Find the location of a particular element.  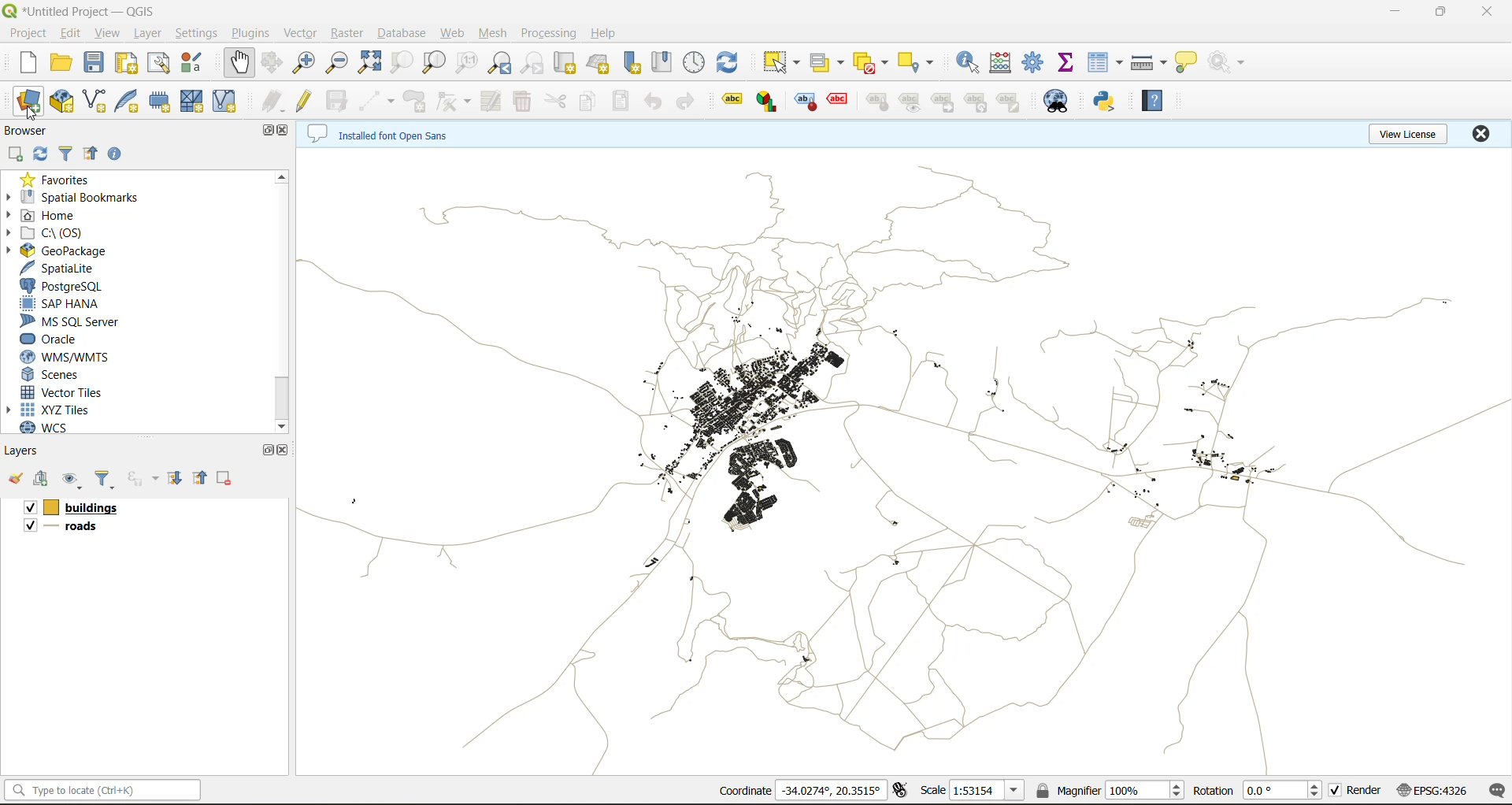

postgresql is located at coordinates (61, 287).